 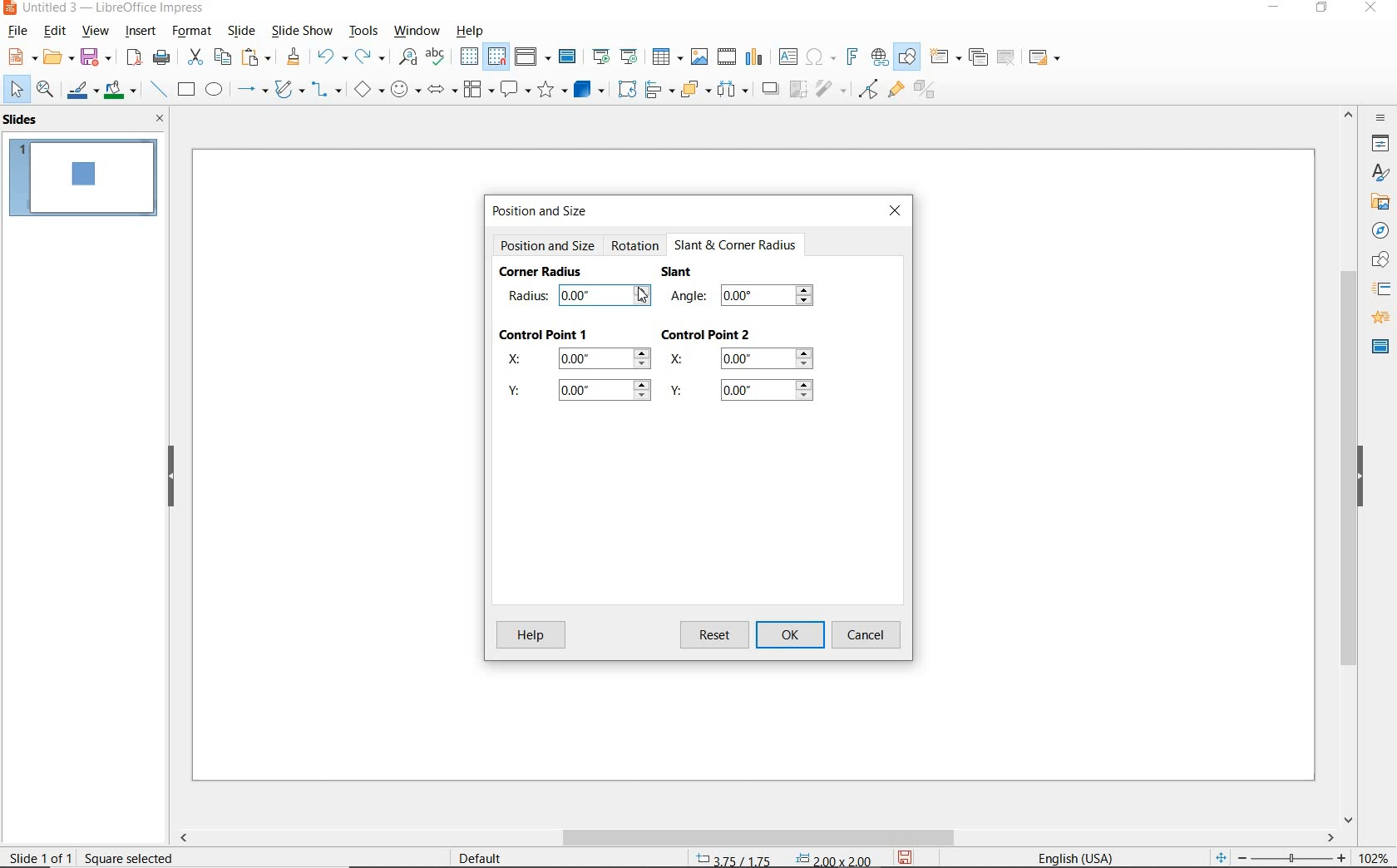 What do you see at coordinates (706, 336) in the screenshot?
I see `CONTROL POINT 2` at bounding box center [706, 336].